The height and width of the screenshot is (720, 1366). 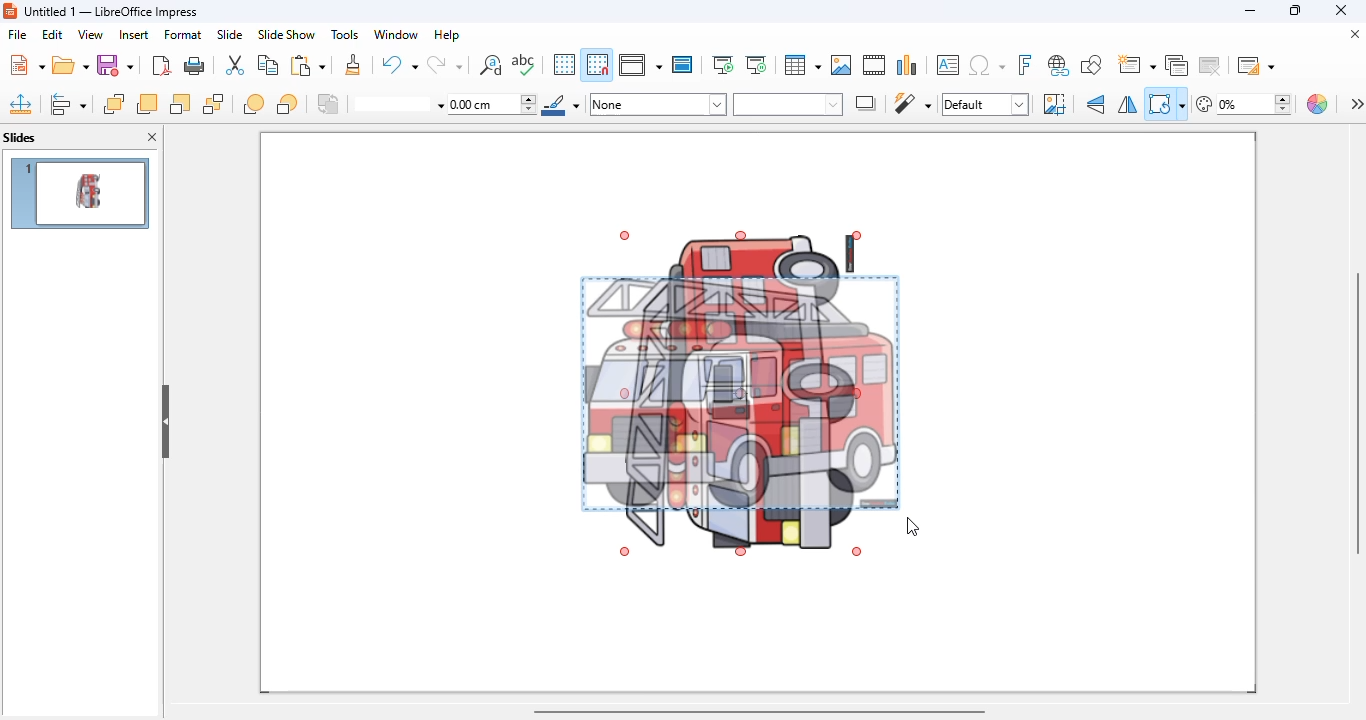 I want to click on image mode, so click(x=985, y=105).